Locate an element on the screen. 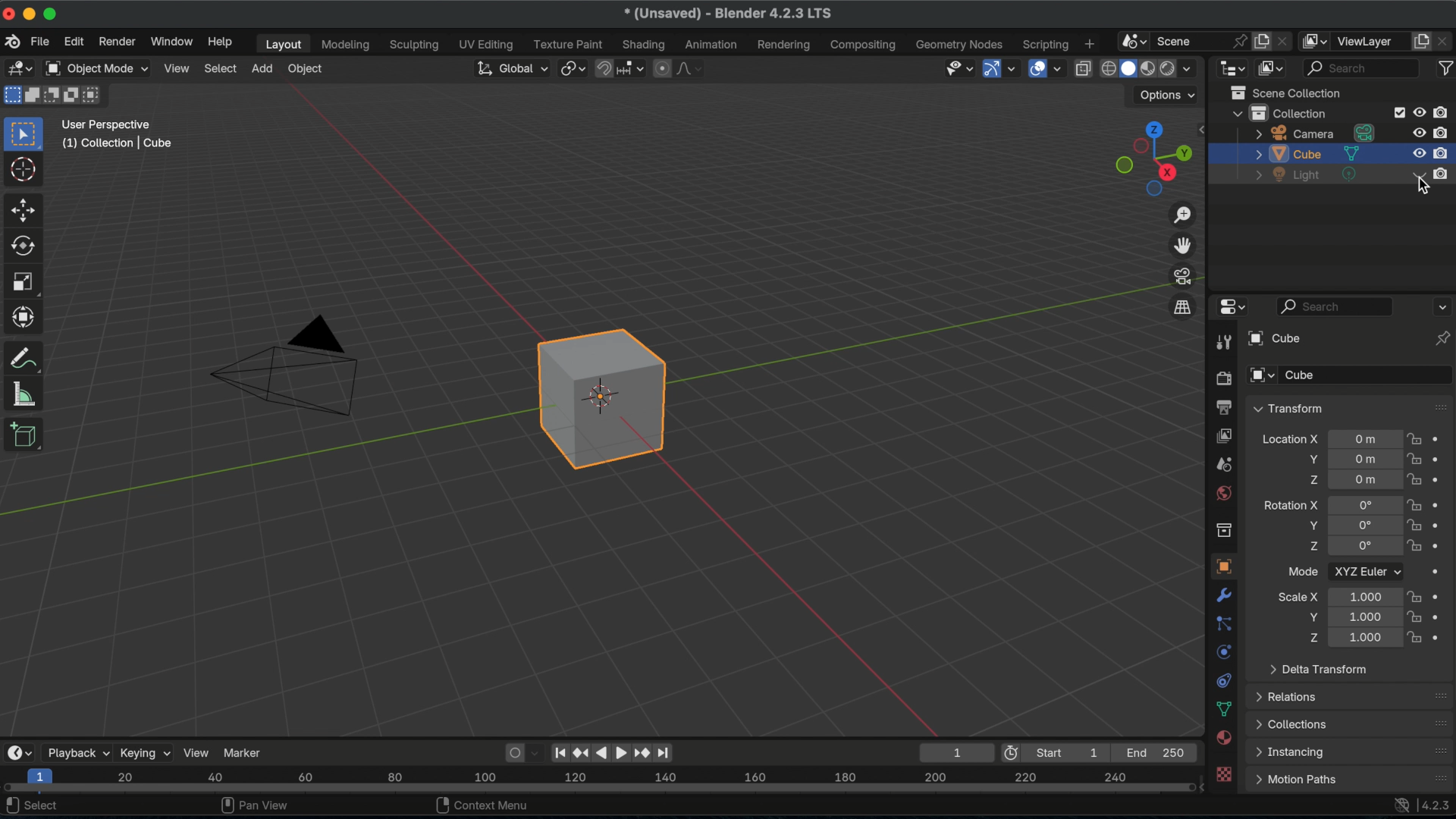 Image resolution: width=1456 pixels, height=819 pixels. animate property is located at coordinates (1442, 459).